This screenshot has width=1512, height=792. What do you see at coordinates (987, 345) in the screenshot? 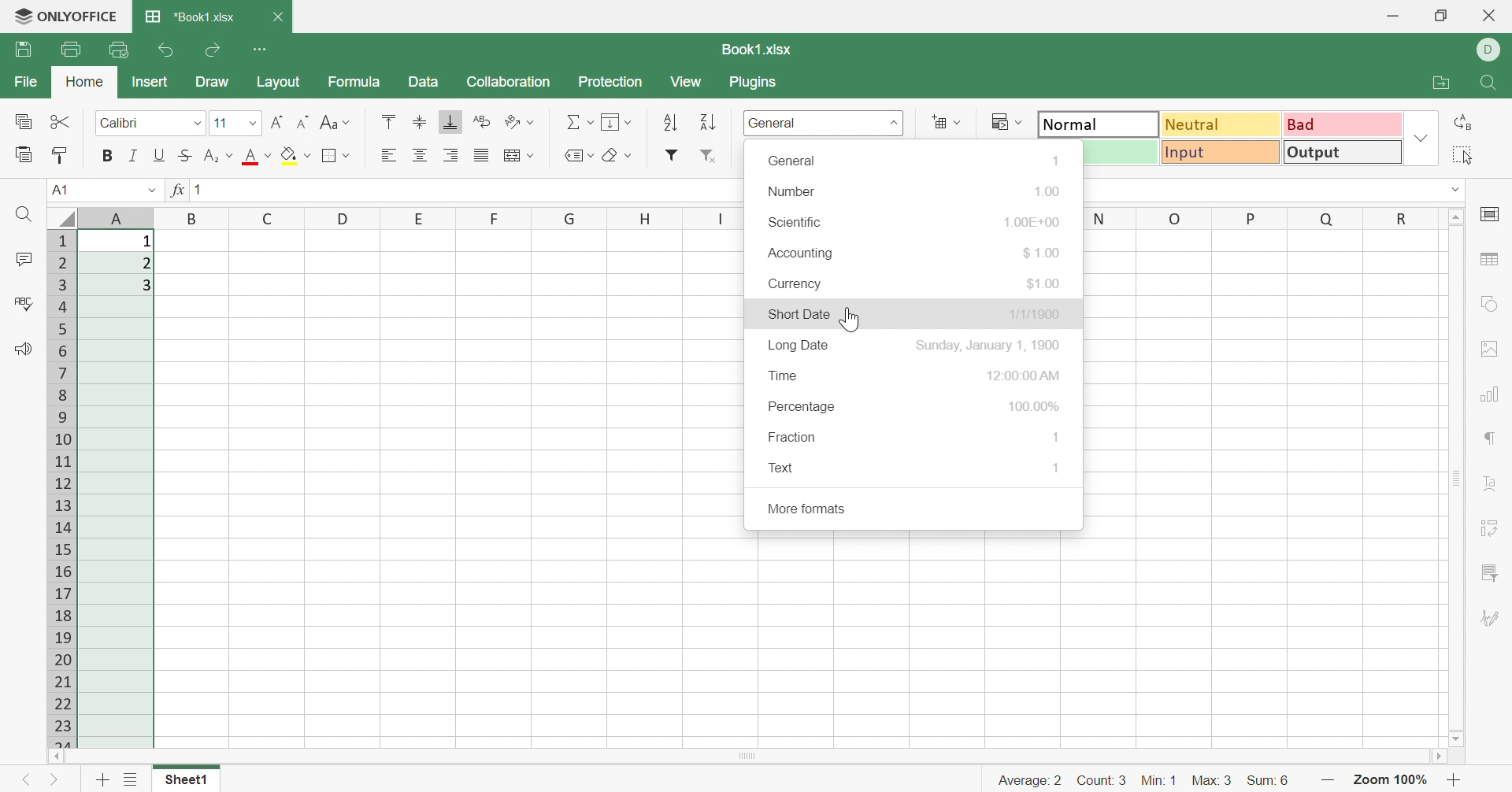
I see `Sunday, January 1, 1900` at bounding box center [987, 345].